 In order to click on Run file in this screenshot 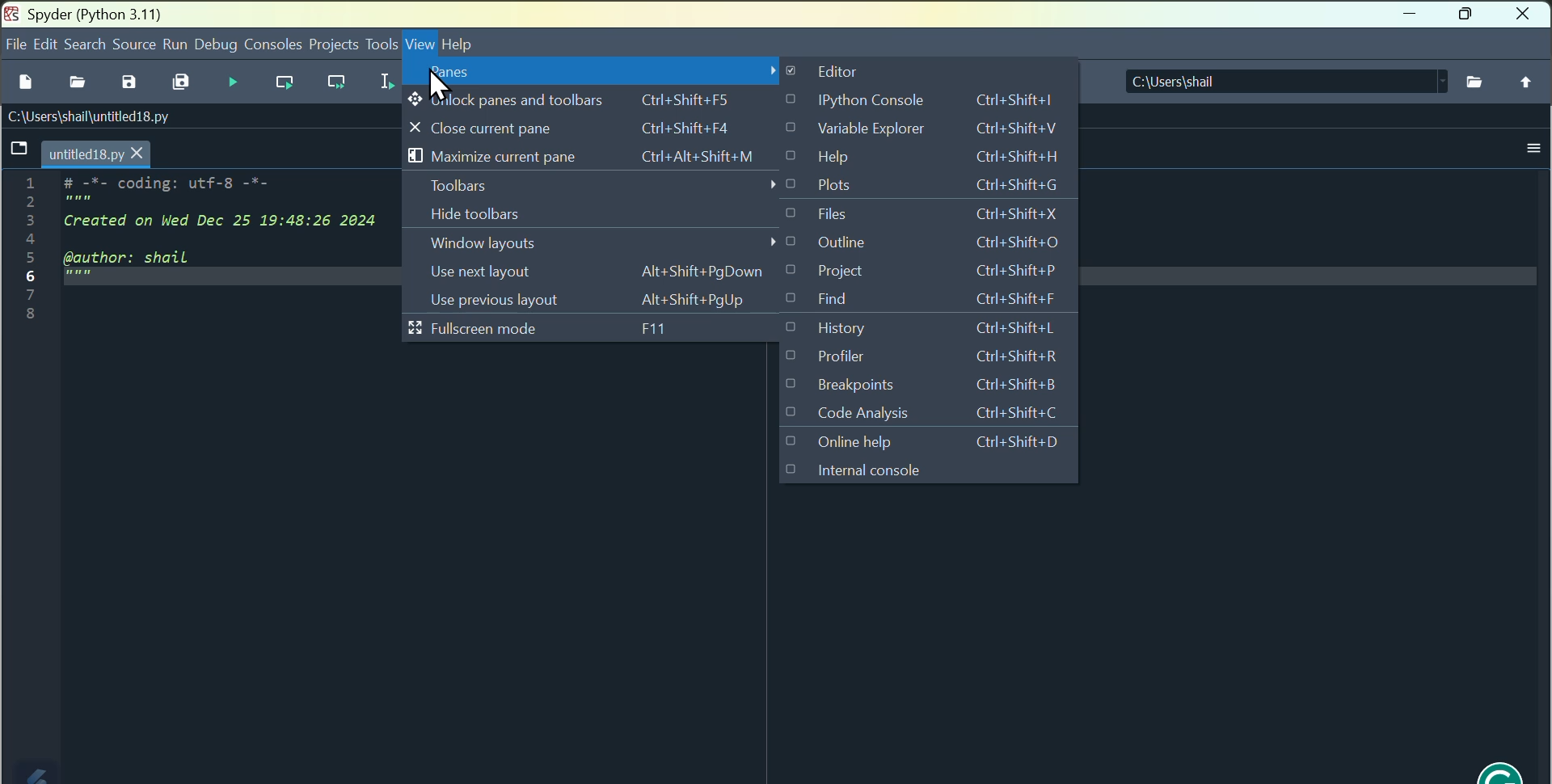, I will do `click(234, 81)`.